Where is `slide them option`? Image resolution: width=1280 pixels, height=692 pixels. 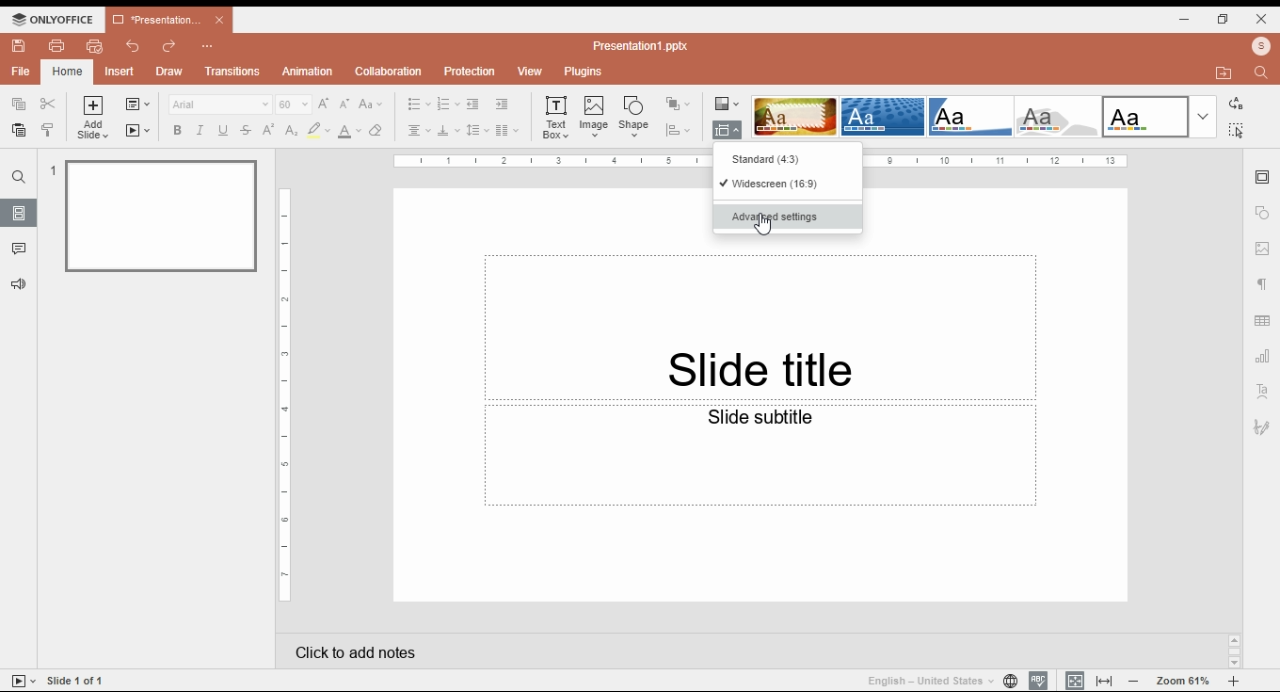 slide them option is located at coordinates (972, 116).